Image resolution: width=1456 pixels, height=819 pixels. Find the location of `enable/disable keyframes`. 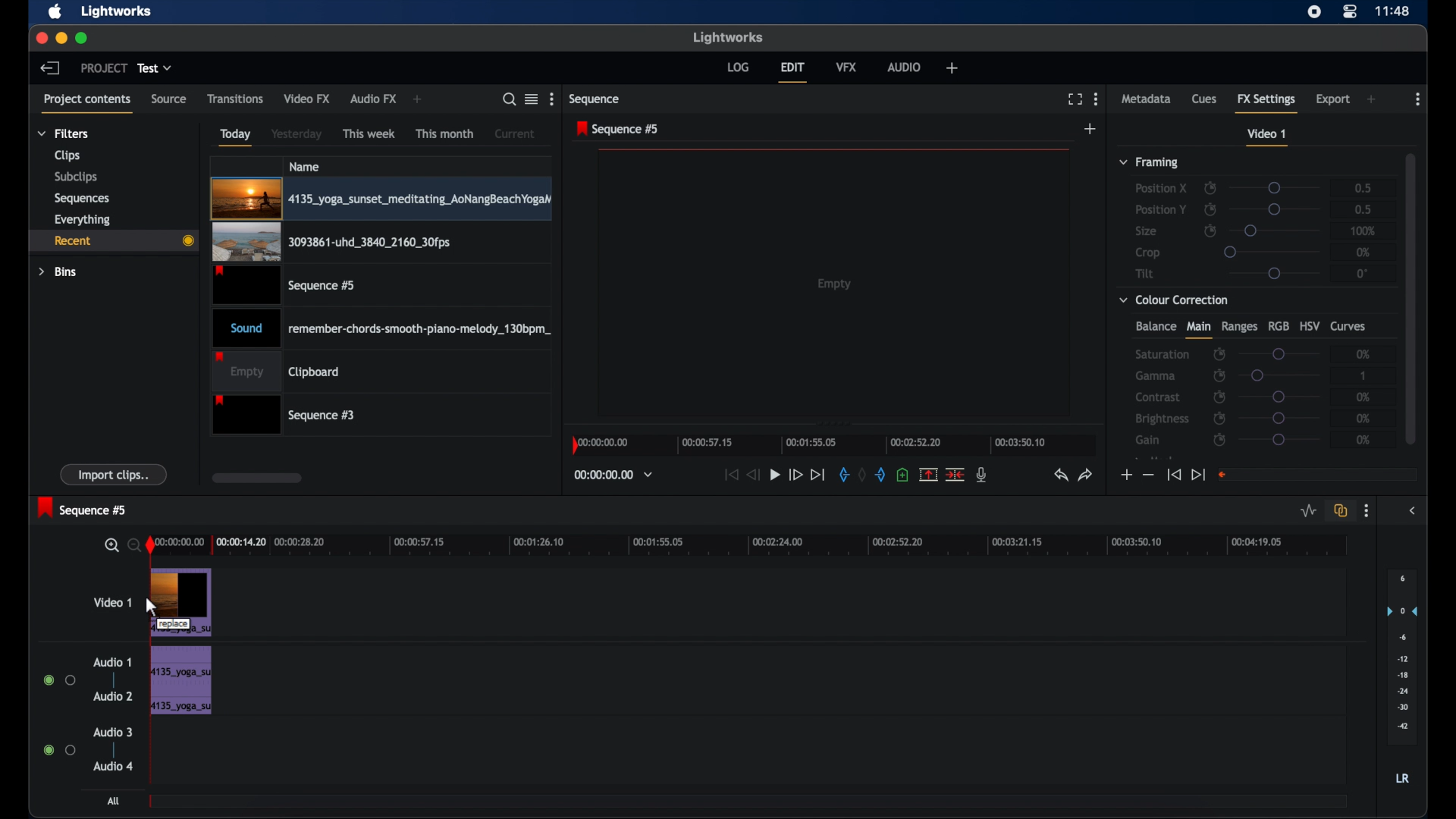

enable/disable keyframes is located at coordinates (1210, 209).